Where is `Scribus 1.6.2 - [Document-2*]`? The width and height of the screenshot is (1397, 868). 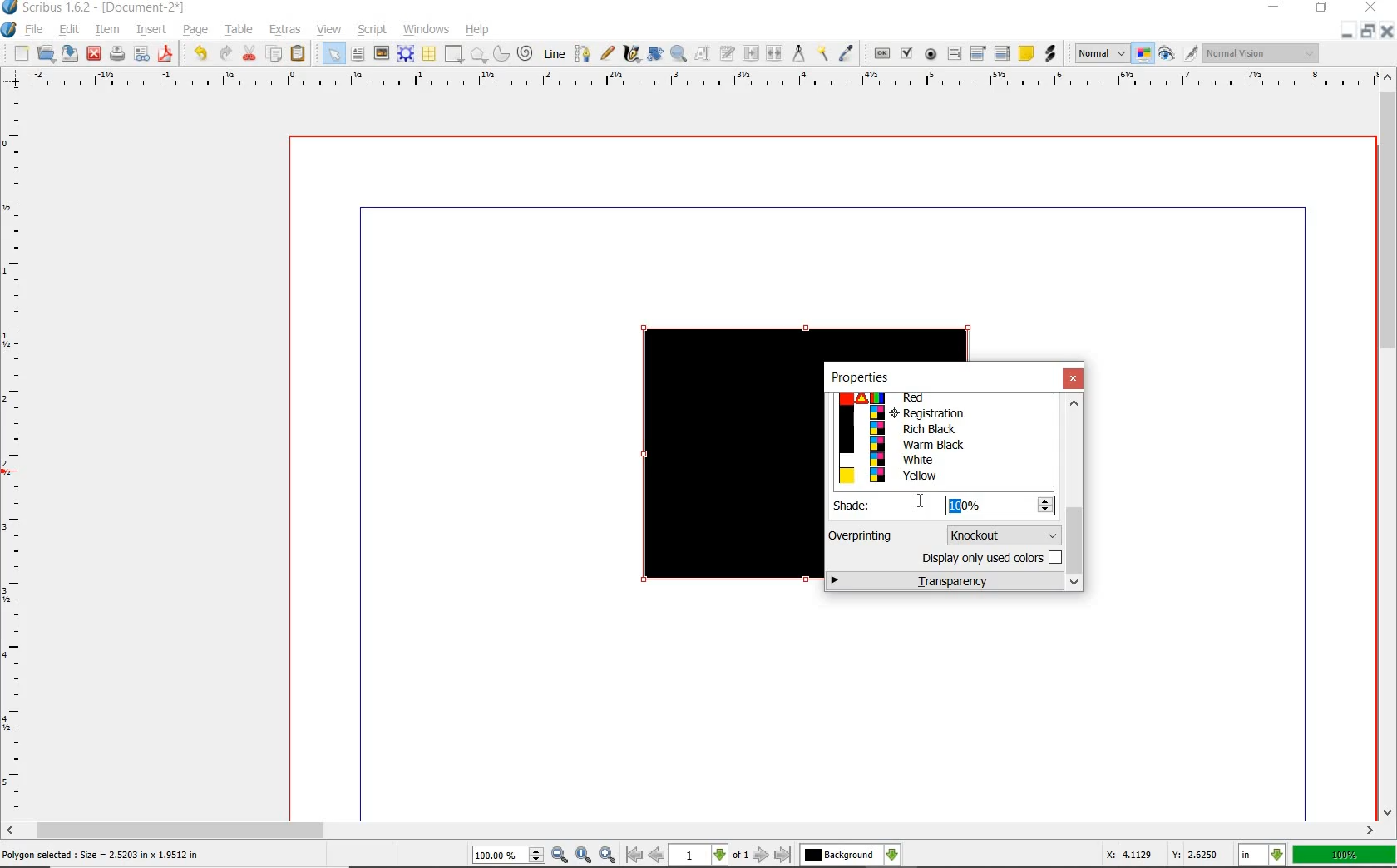 Scribus 1.6.2 - [Document-2*] is located at coordinates (96, 8).